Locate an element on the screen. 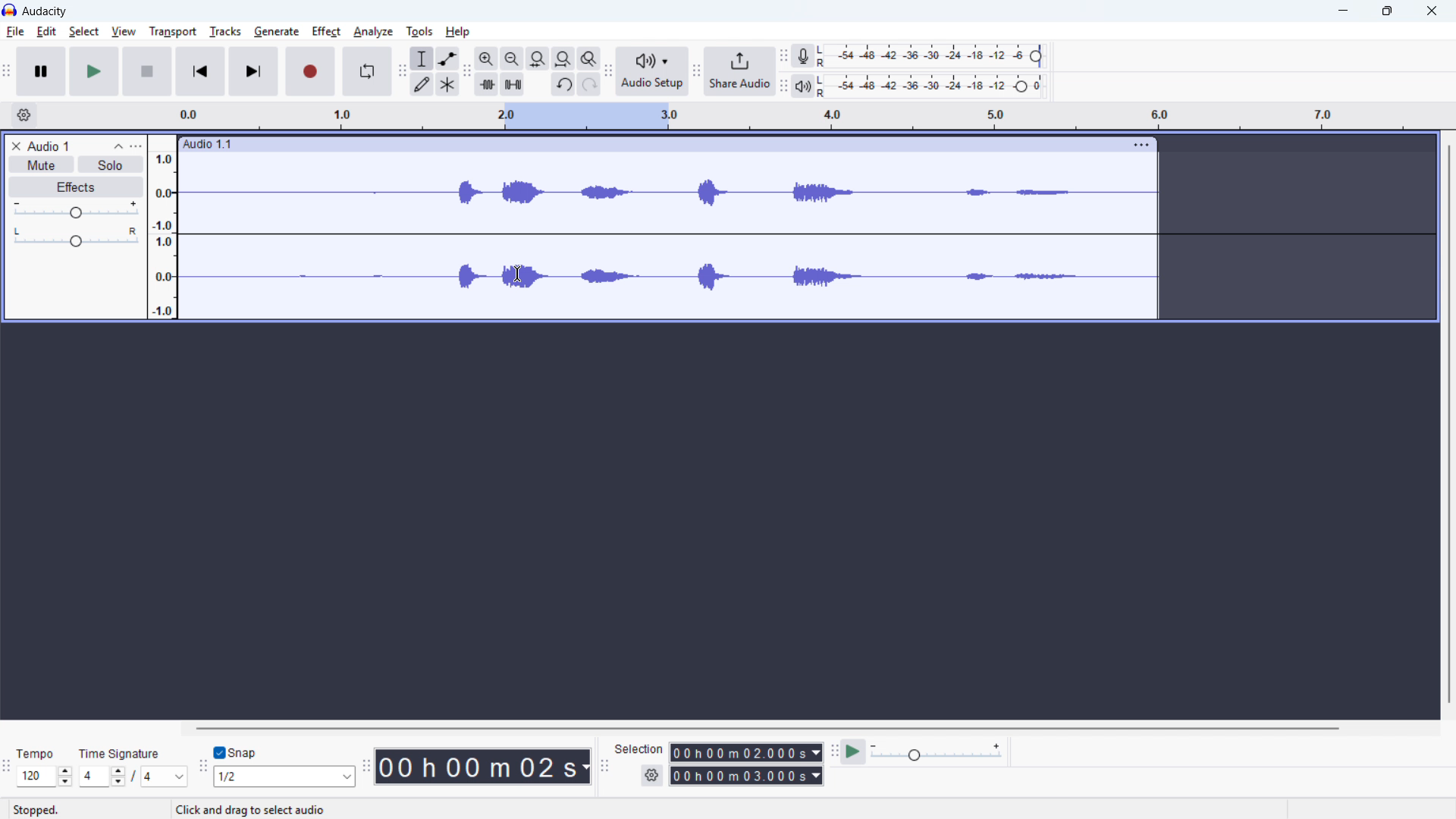 The height and width of the screenshot is (819, 1456). pan: centre is located at coordinates (76, 237).